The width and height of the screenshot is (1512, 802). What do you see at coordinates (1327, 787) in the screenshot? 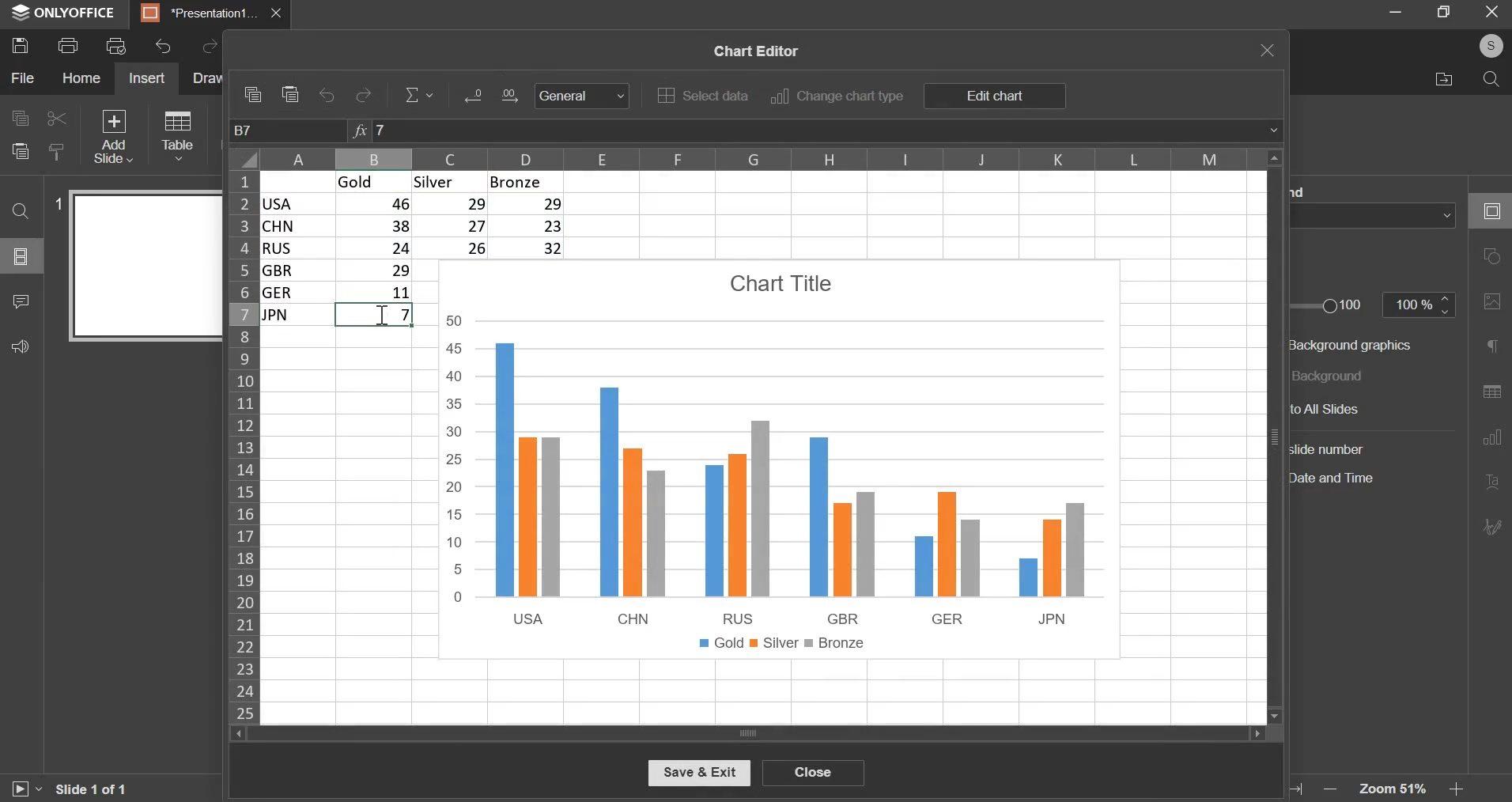
I see `zoom out` at bounding box center [1327, 787].